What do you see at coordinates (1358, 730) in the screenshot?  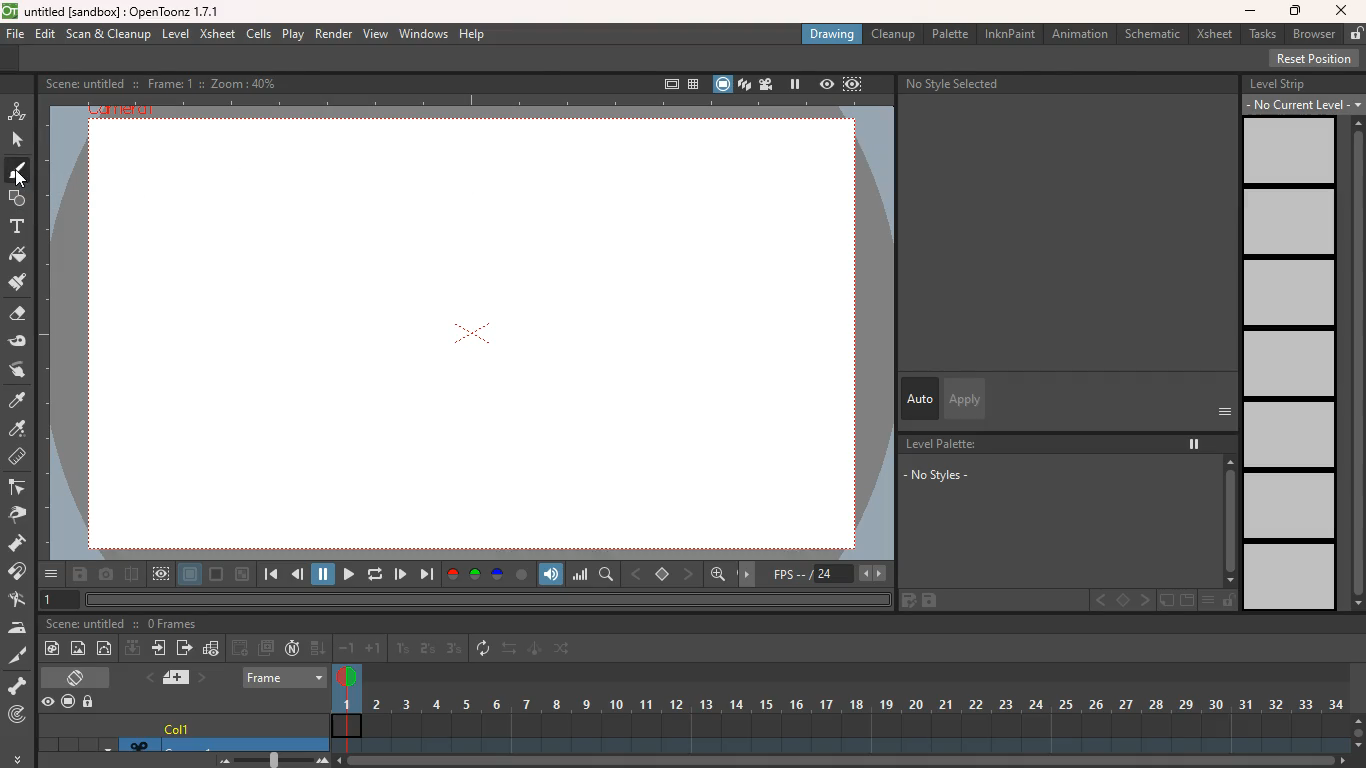 I see `zoom` at bounding box center [1358, 730].